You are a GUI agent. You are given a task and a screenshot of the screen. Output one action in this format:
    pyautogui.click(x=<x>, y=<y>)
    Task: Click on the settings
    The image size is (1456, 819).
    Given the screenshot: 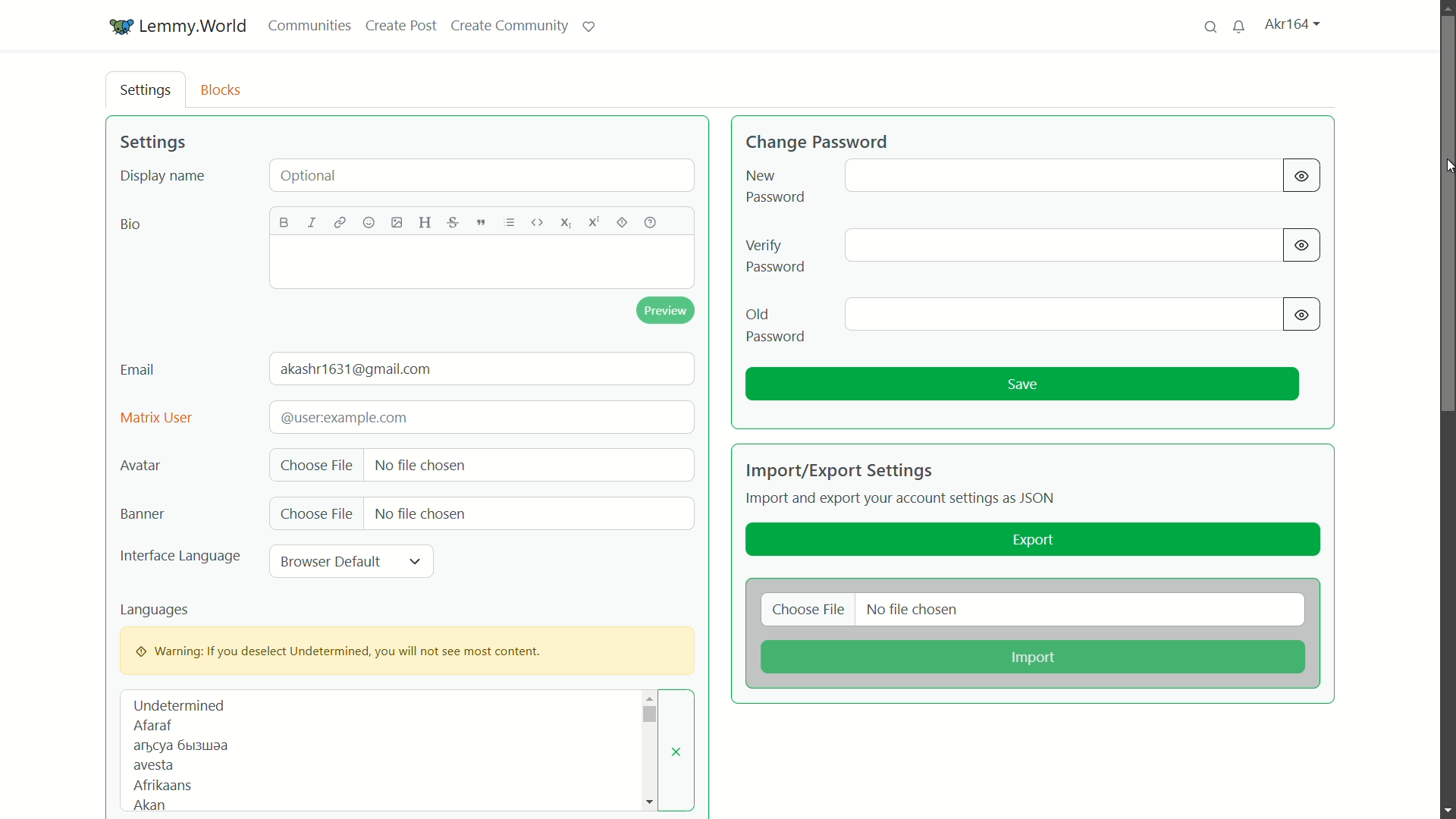 What is the action you would take?
    pyautogui.click(x=146, y=91)
    